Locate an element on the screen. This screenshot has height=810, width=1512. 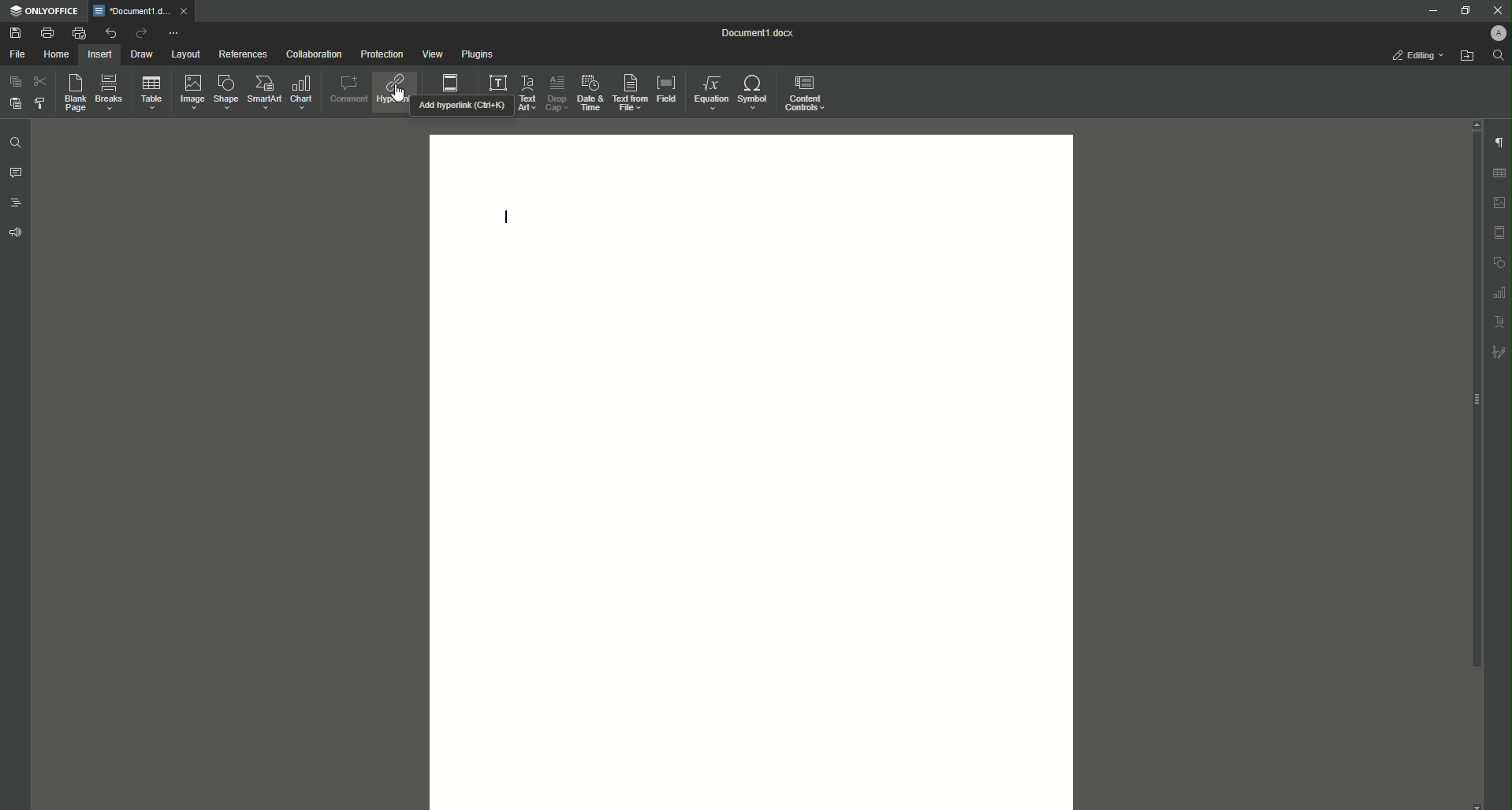
scroll bar is located at coordinates (1475, 399).